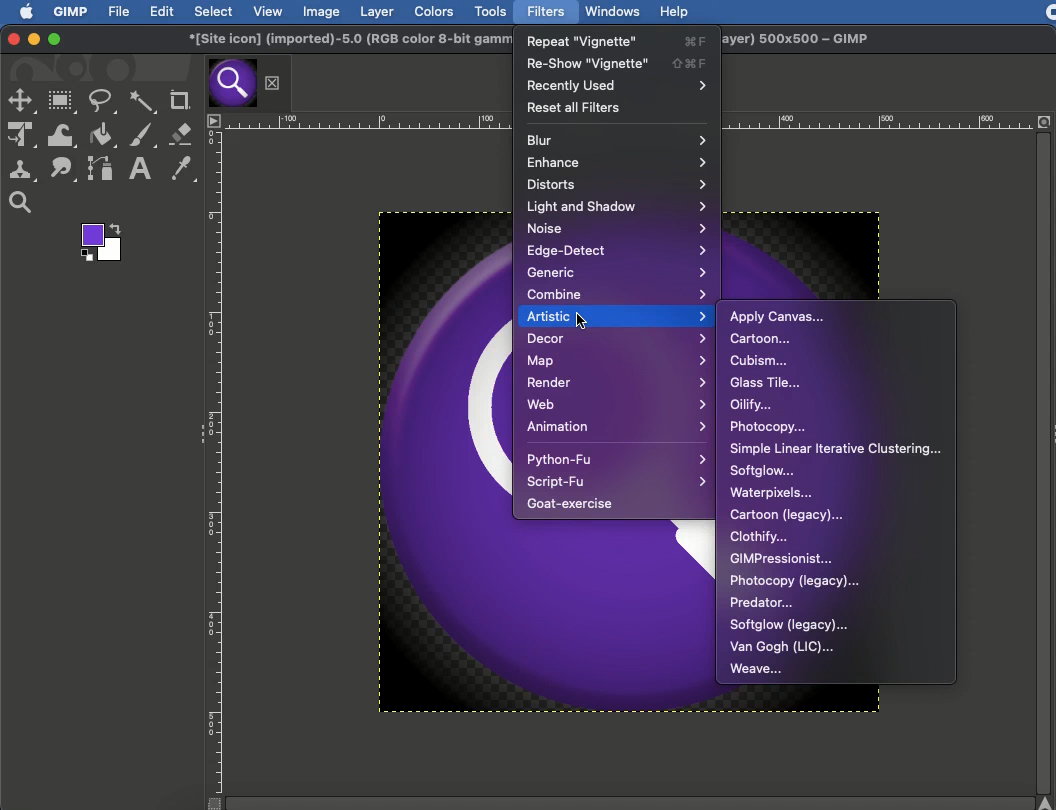  What do you see at coordinates (374, 11) in the screenshot?
I see `Layer` at bounding box center [374, 11].